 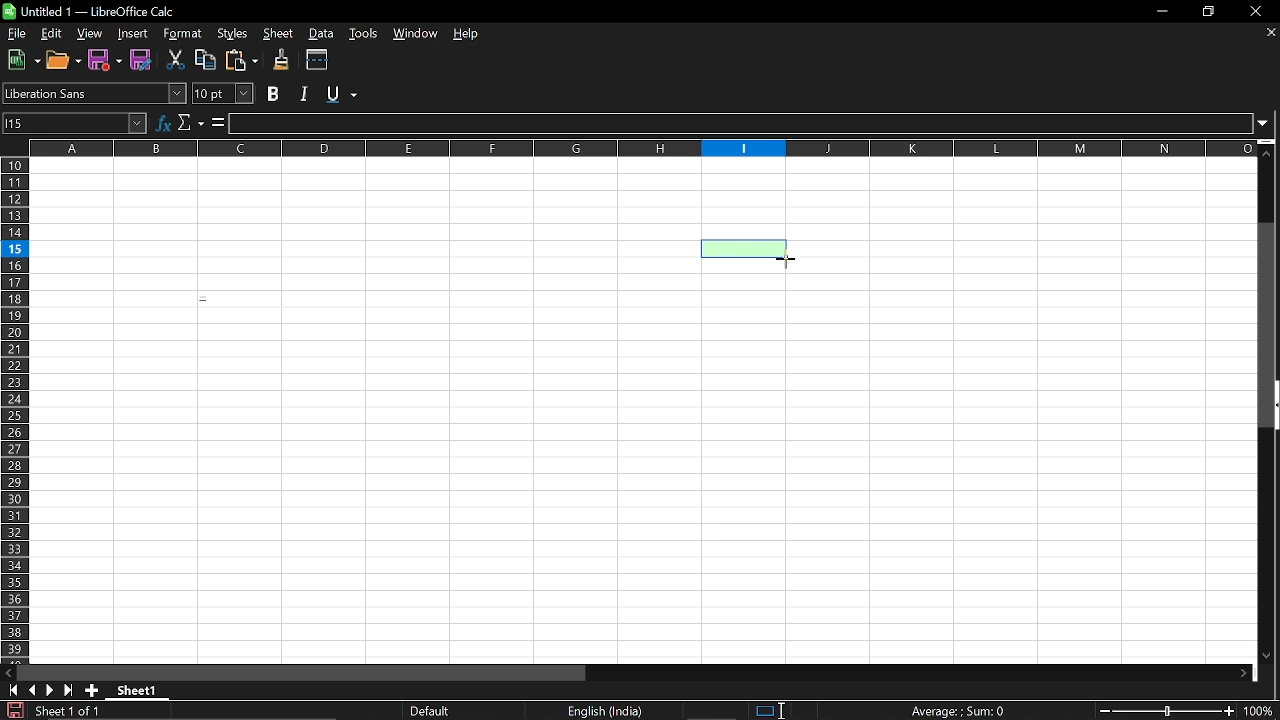 What do you see at coordinates (74, 122) in the screenshot?
I see `Name box` at bounding box center [74, 122].